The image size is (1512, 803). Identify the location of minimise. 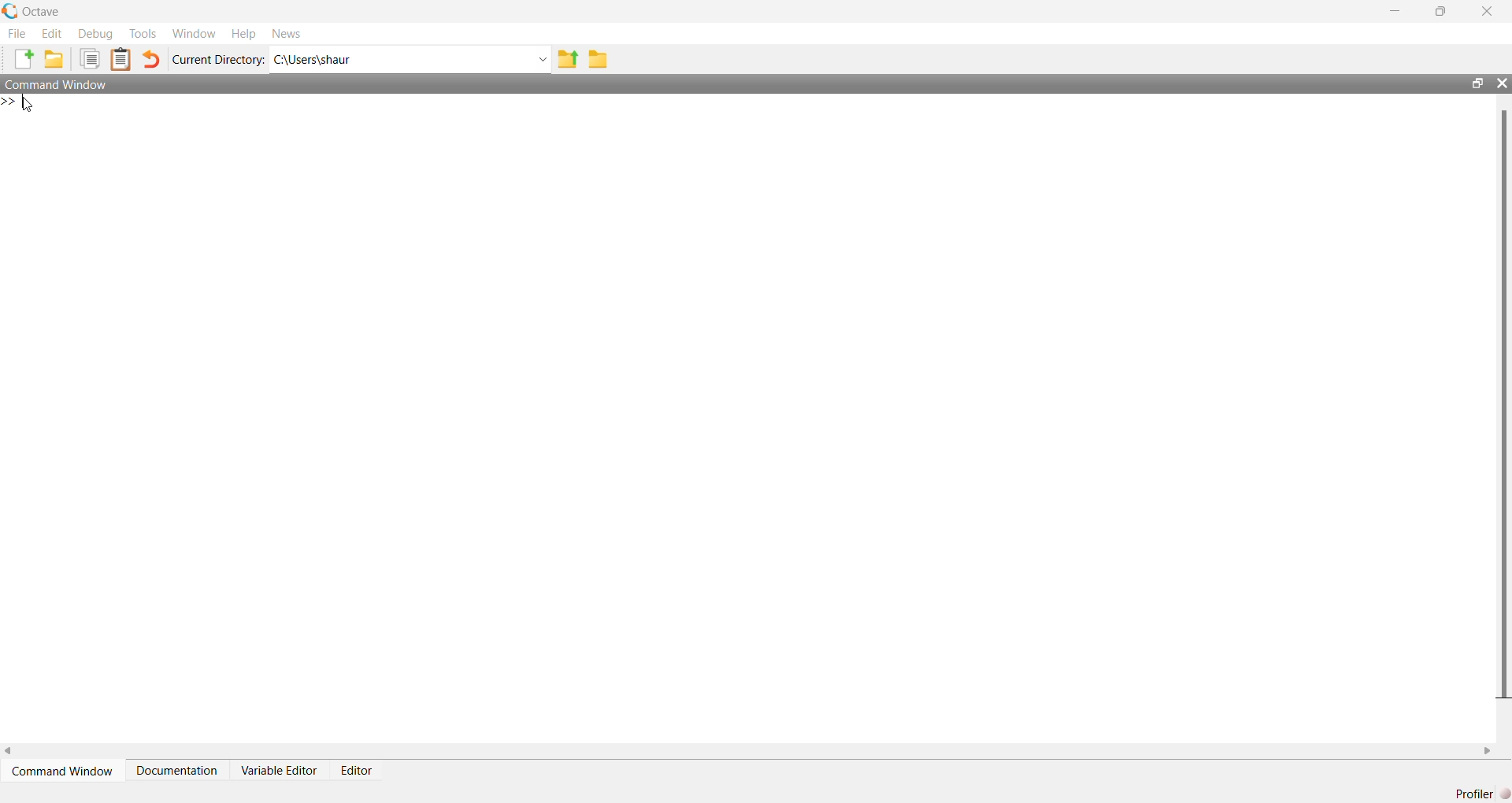
(1396, 10).